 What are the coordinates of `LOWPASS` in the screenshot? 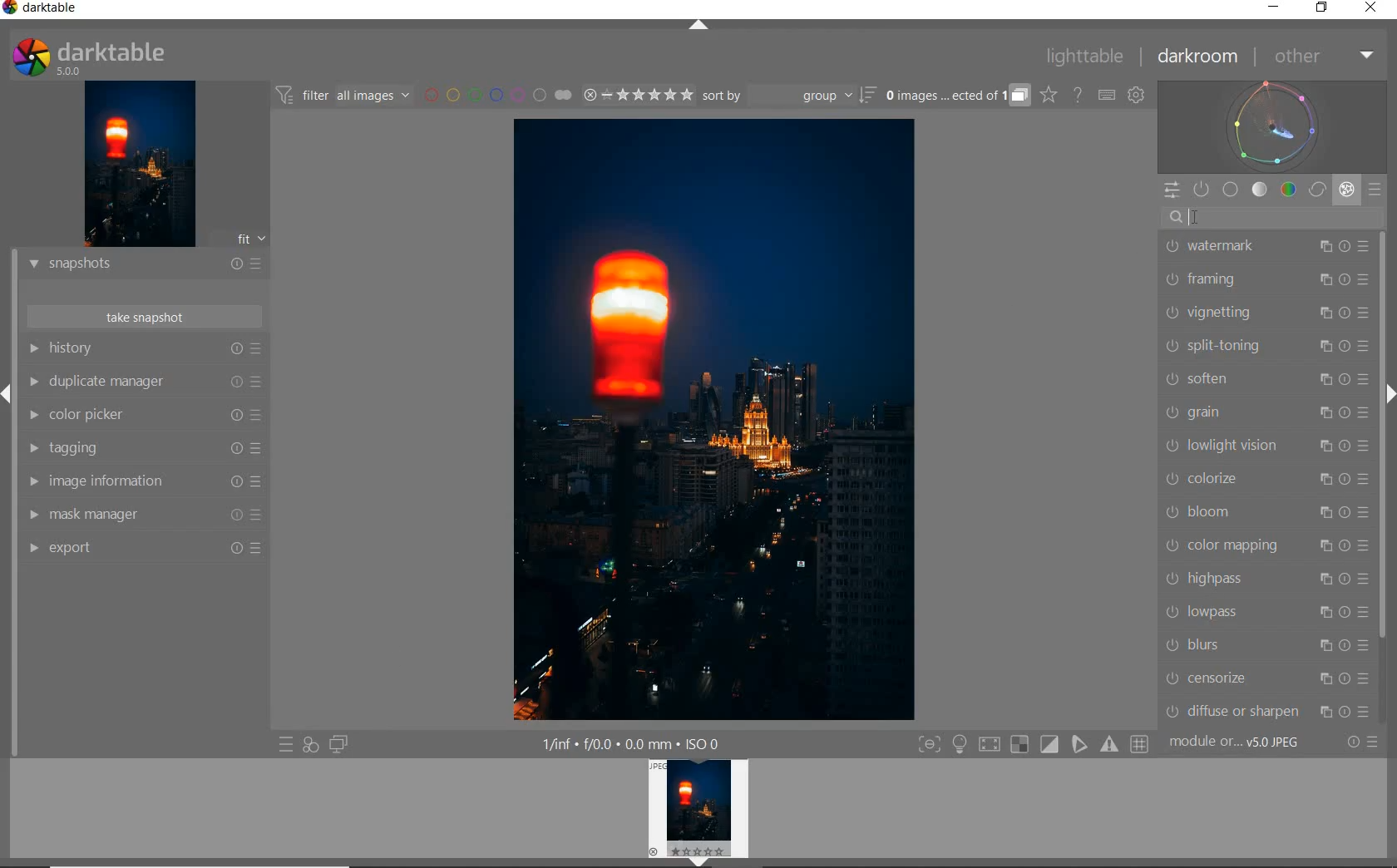 It's located at (1217, 612).